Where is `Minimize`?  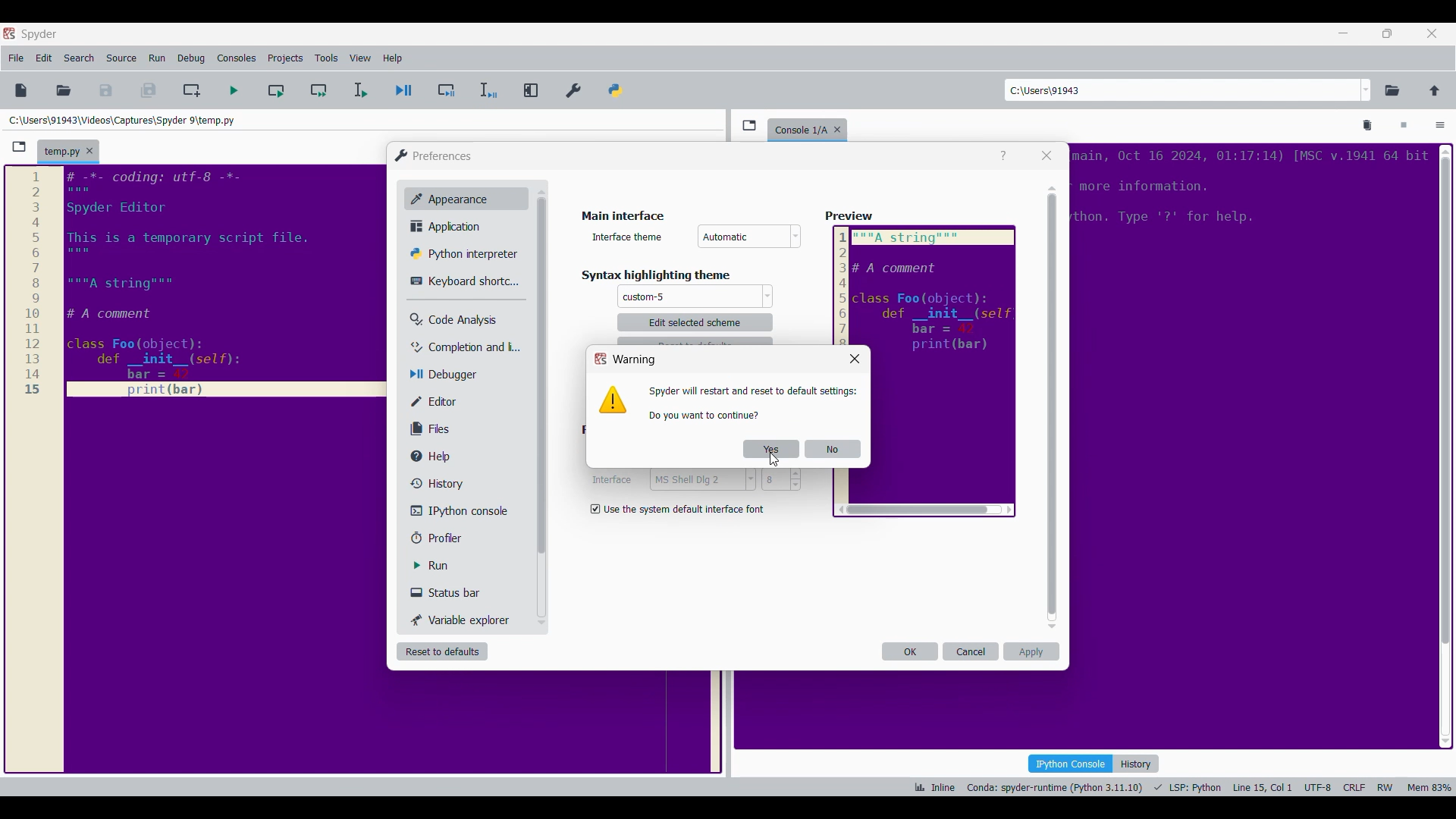
Minimize is located at coordinates (1344, 33).